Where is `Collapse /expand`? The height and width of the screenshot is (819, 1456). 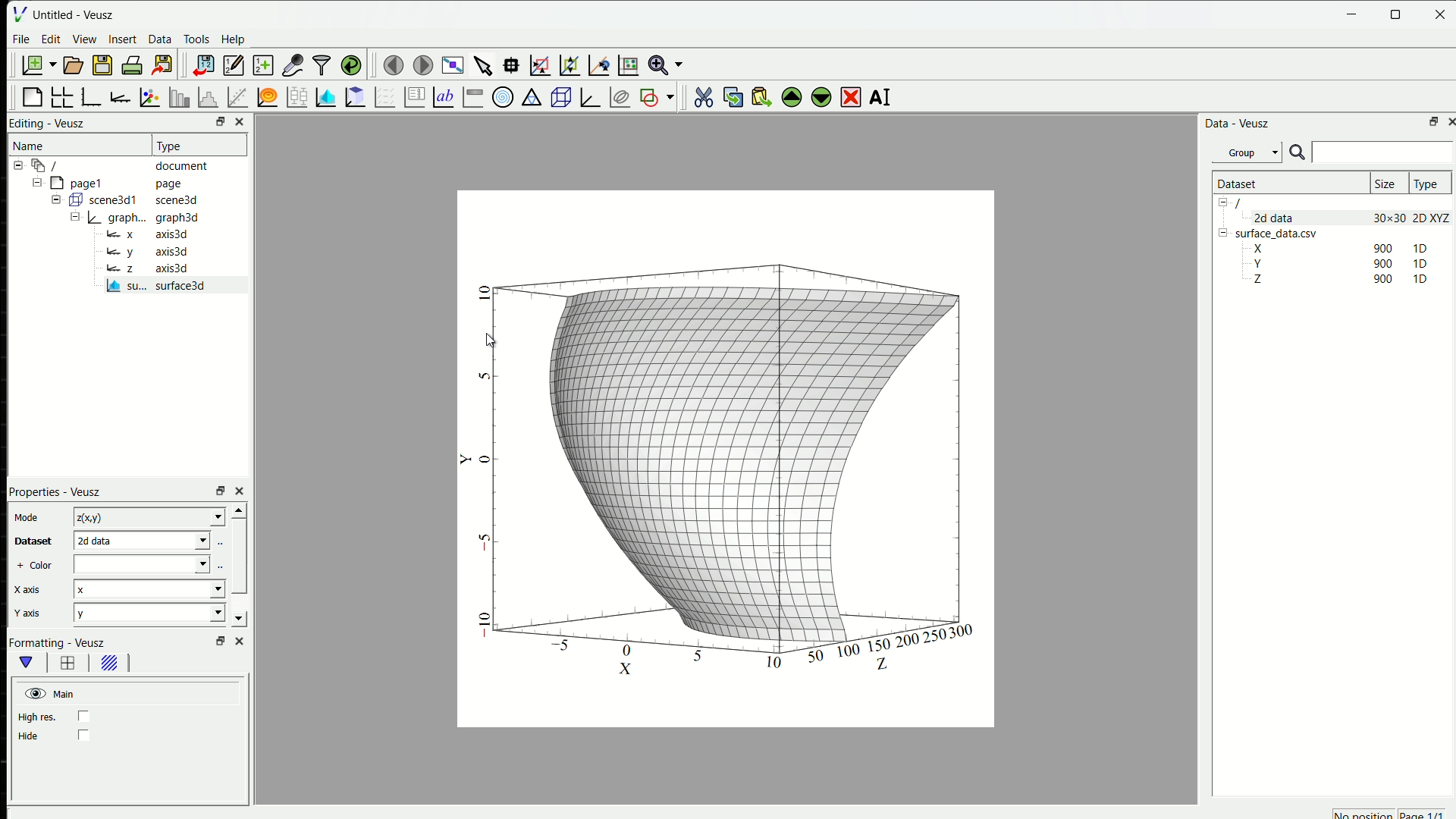
Collapse /expand is located at coordinates (1225, 234).